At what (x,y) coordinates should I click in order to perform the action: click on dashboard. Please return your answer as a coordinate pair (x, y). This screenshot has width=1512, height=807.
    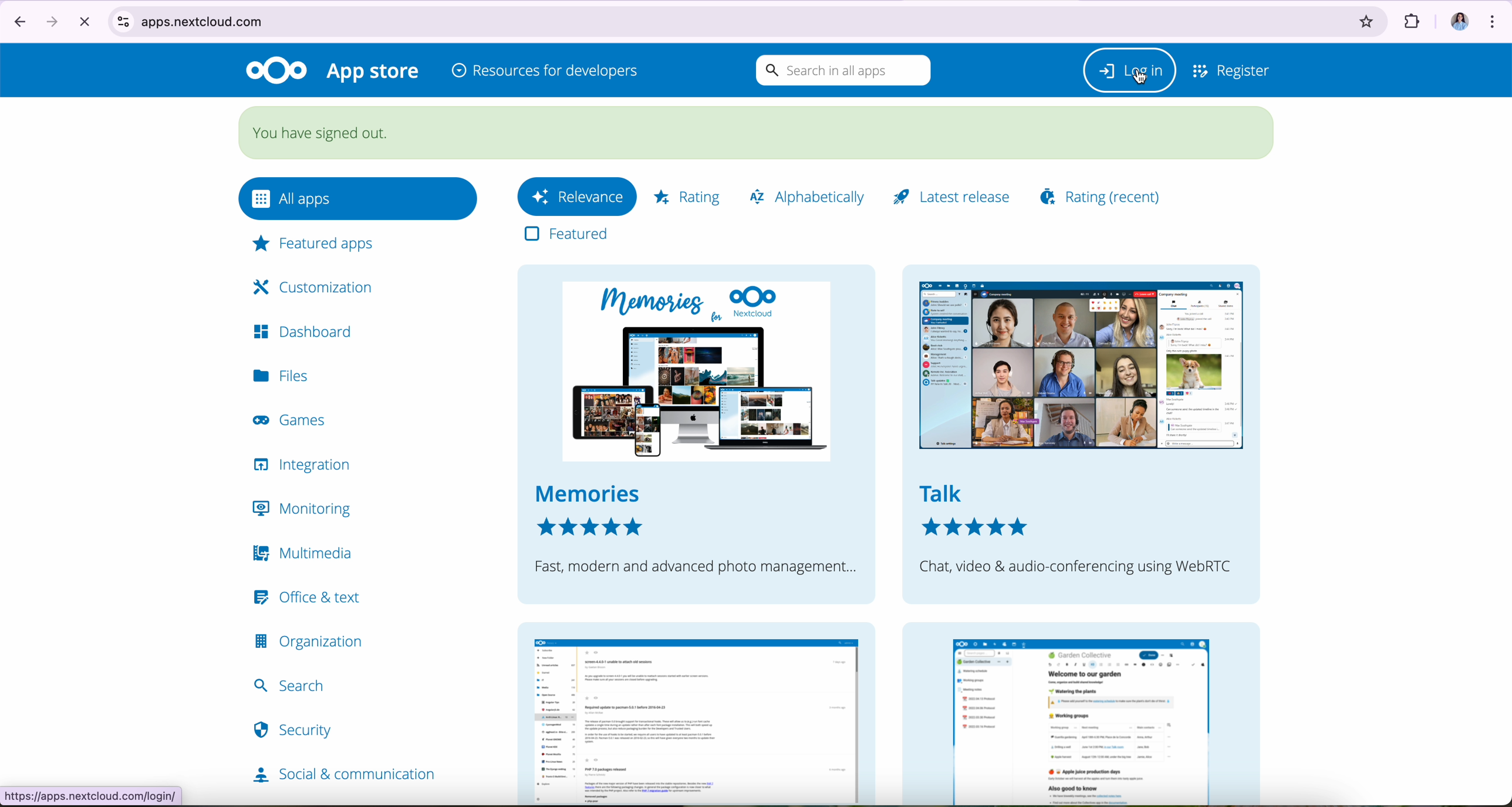
    Looking at the image, I should click on (306, 330).